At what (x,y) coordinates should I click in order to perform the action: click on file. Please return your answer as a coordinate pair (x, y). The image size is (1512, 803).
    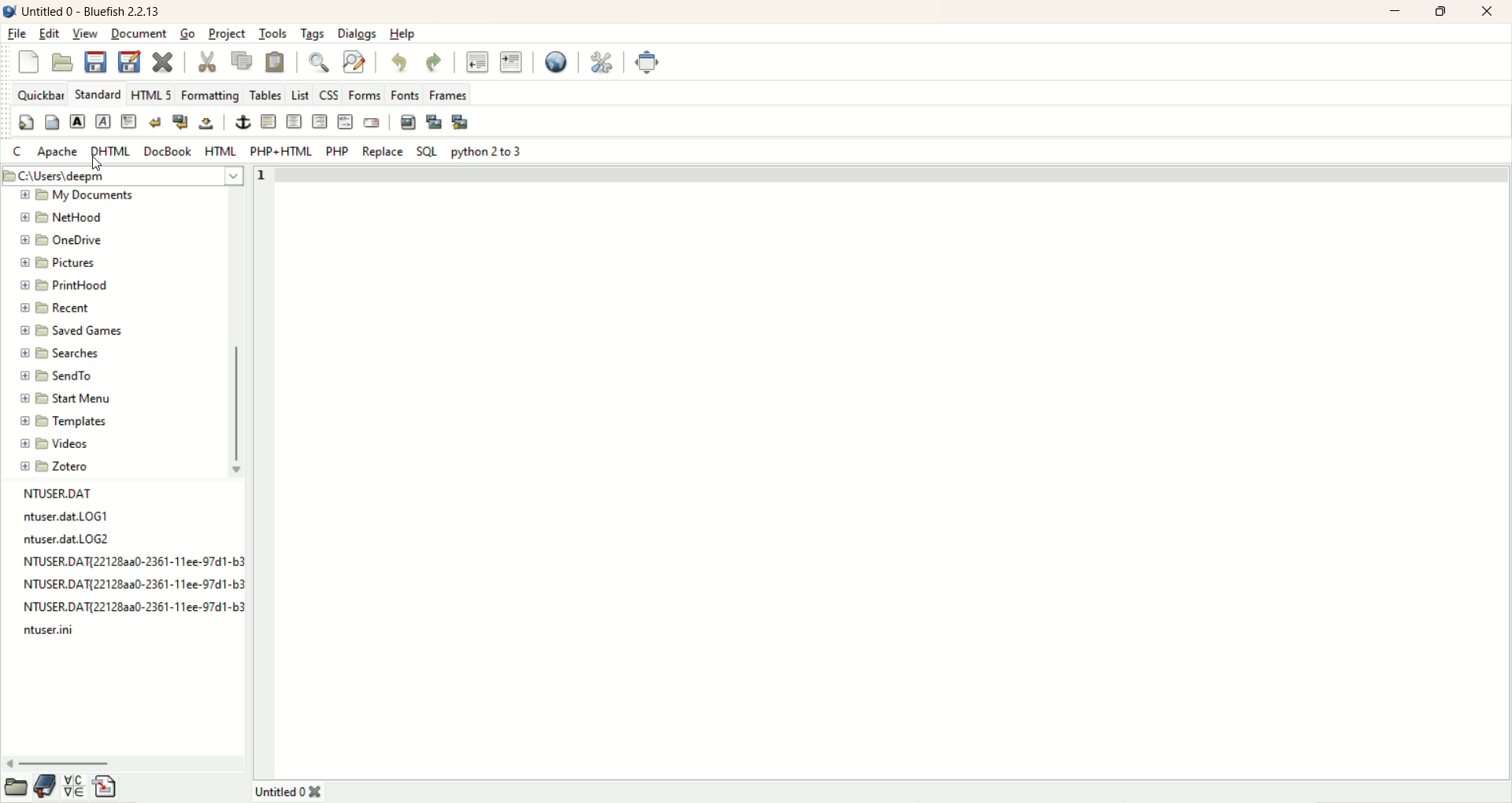
    Looking at the image, I should click on (70, 517).